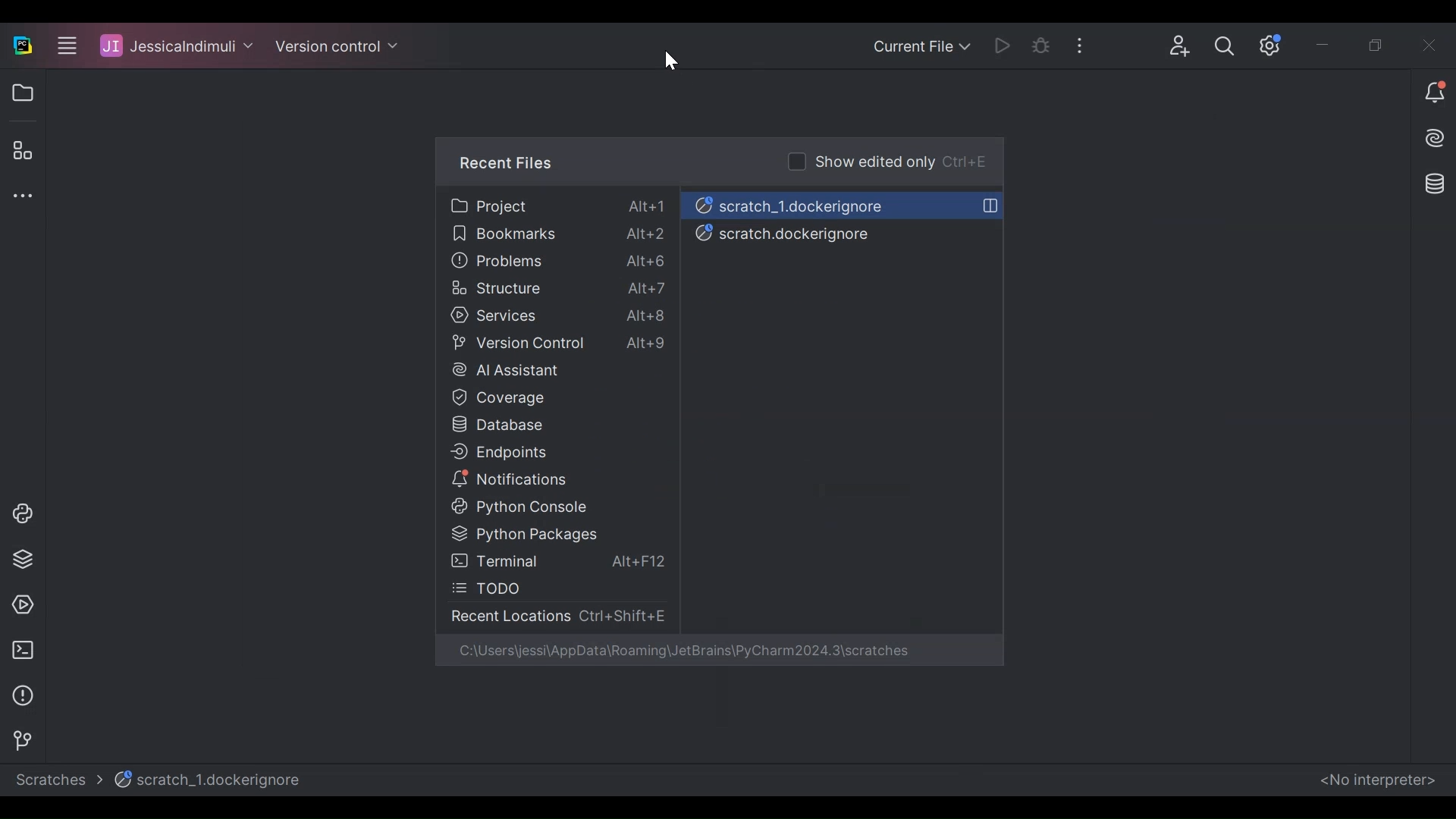 This screenshot has width=1456, height=819. Describe the element at coordinates (554, 507) in the screenshot. I see `Python Console` at that location.